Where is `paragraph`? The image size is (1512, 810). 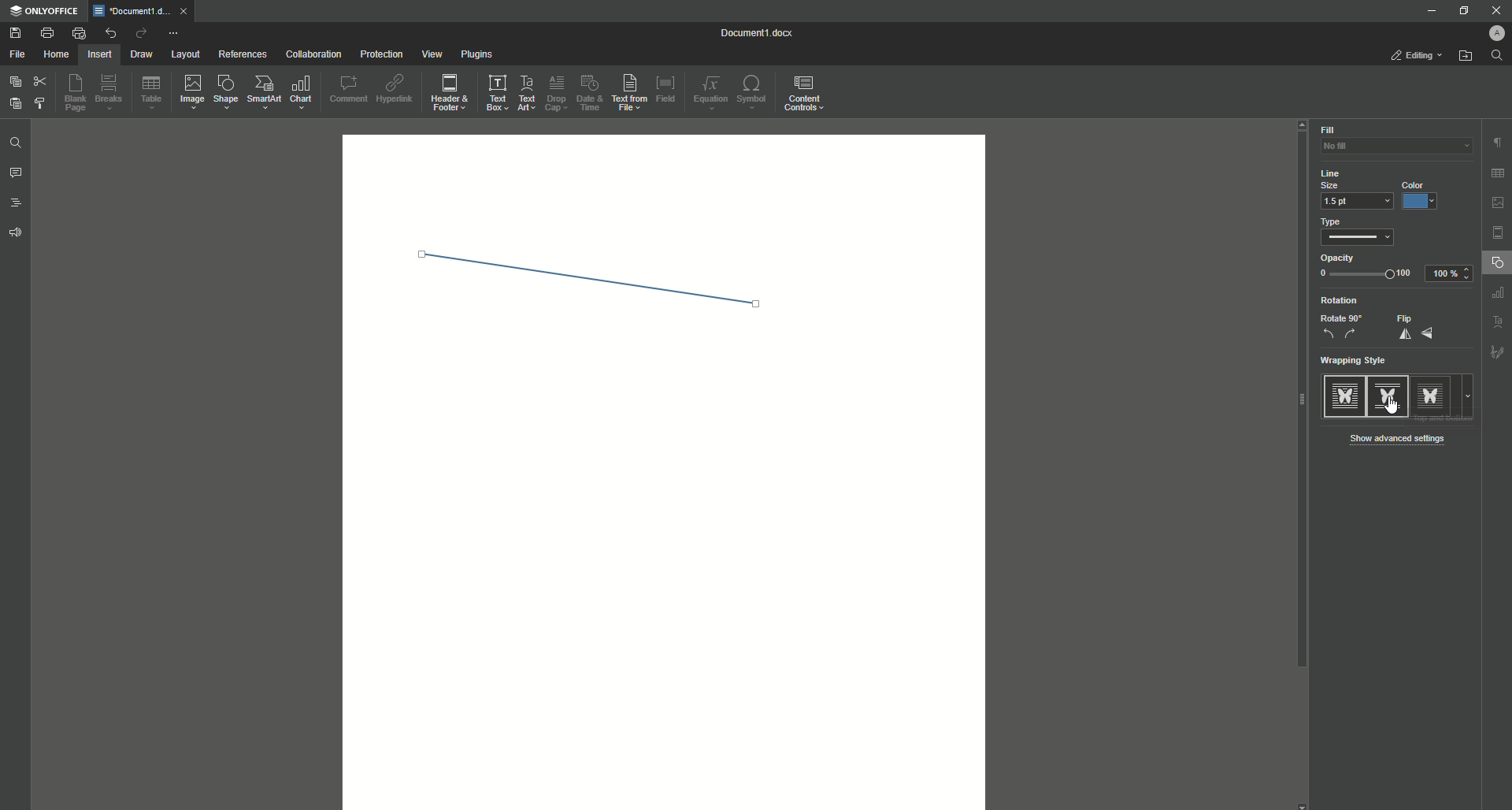 paragraph is located at coordinates (1496, 138).